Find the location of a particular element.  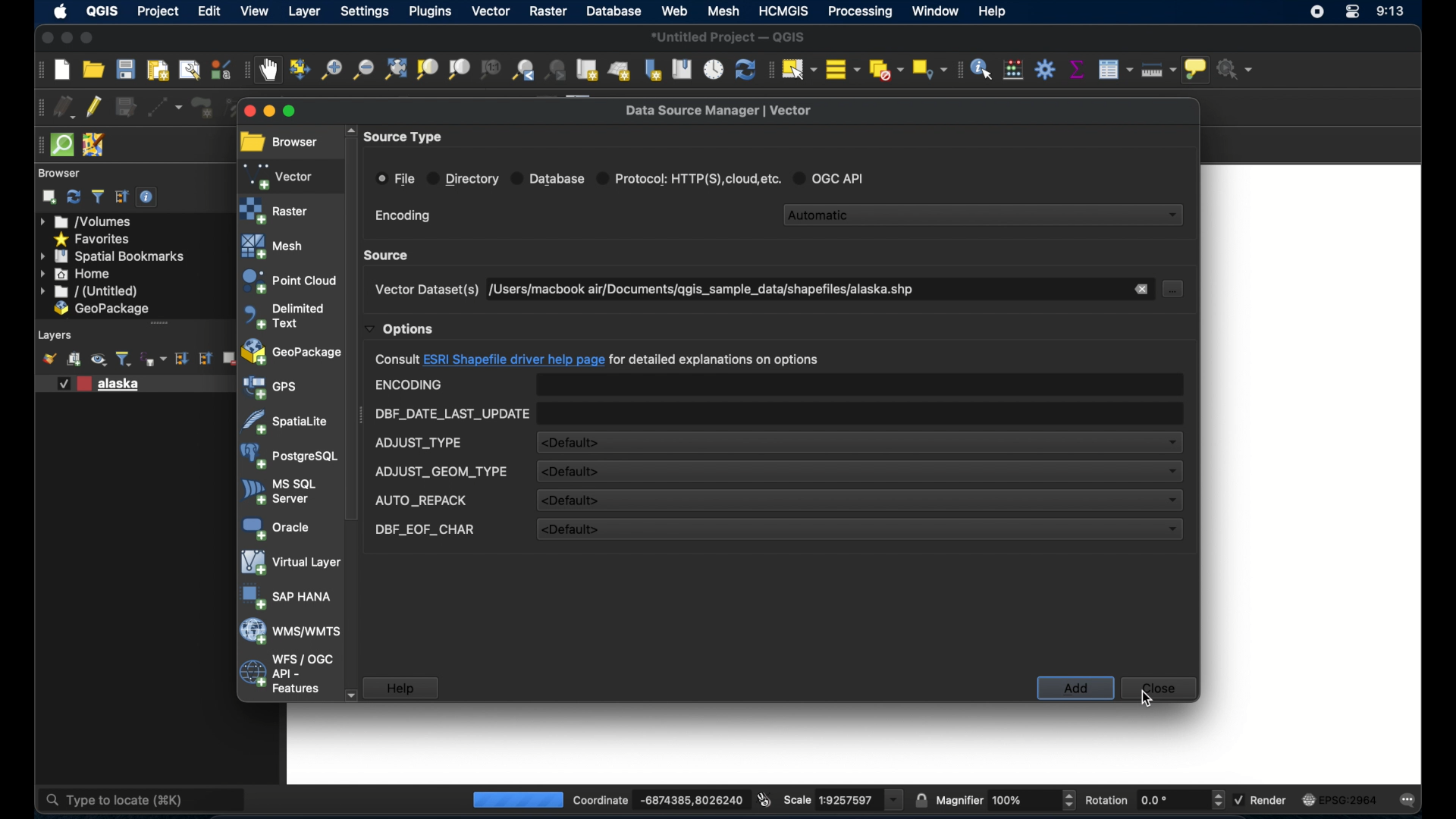

auto_repack is located at coordinates (420, 501).